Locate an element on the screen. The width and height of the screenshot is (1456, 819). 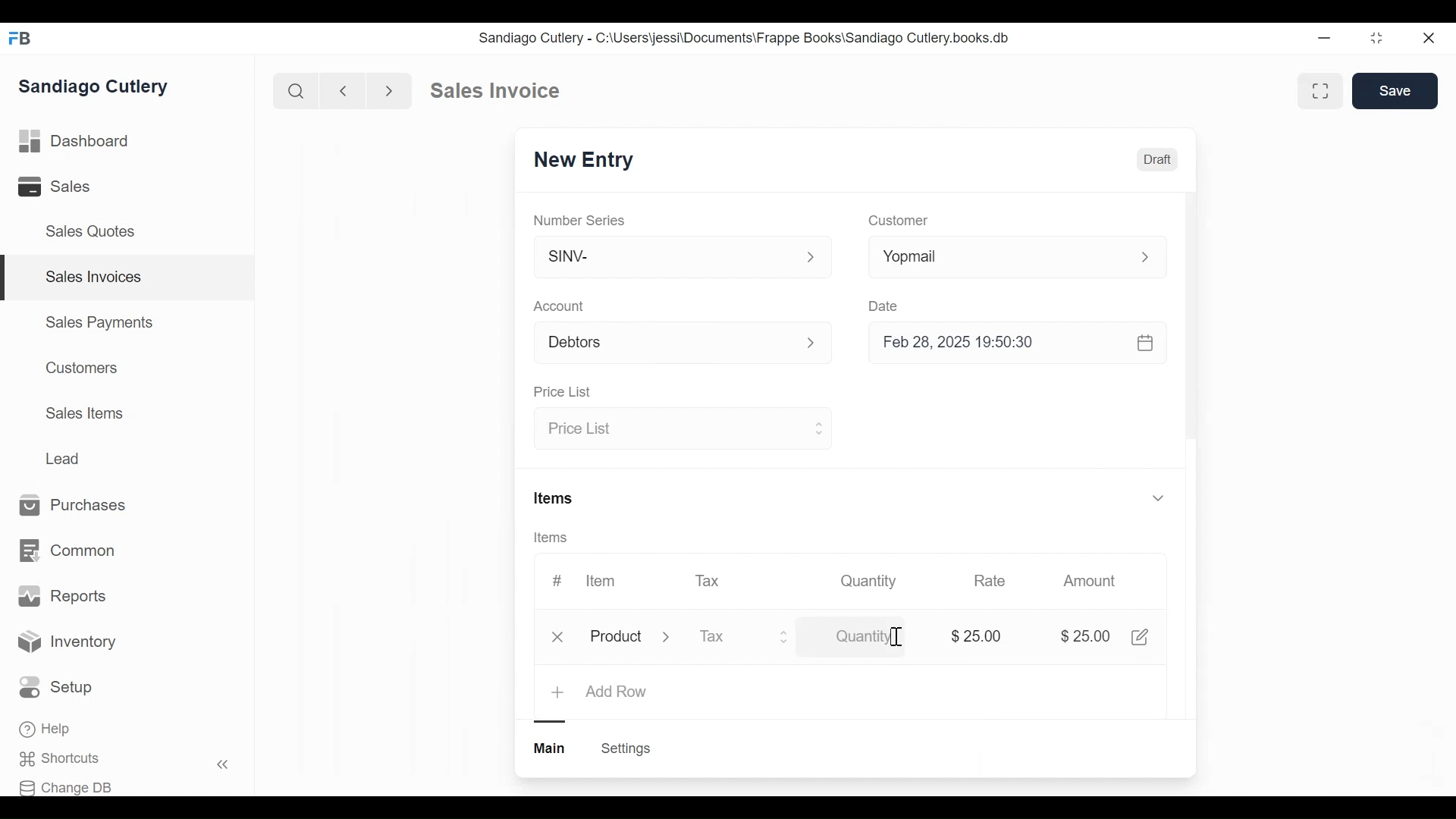
# is located at coordinates (557, 579).